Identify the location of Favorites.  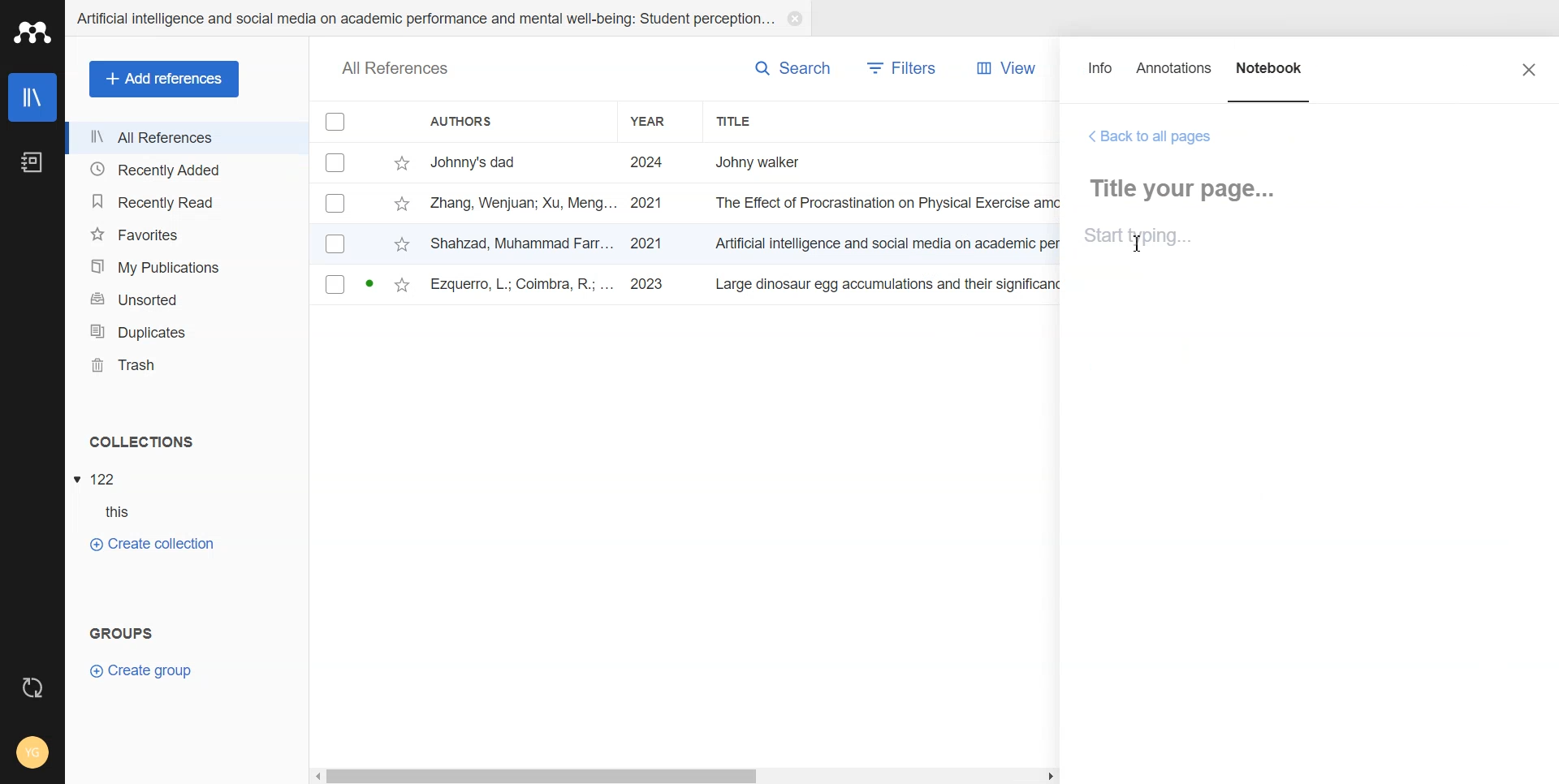
(186, 235).